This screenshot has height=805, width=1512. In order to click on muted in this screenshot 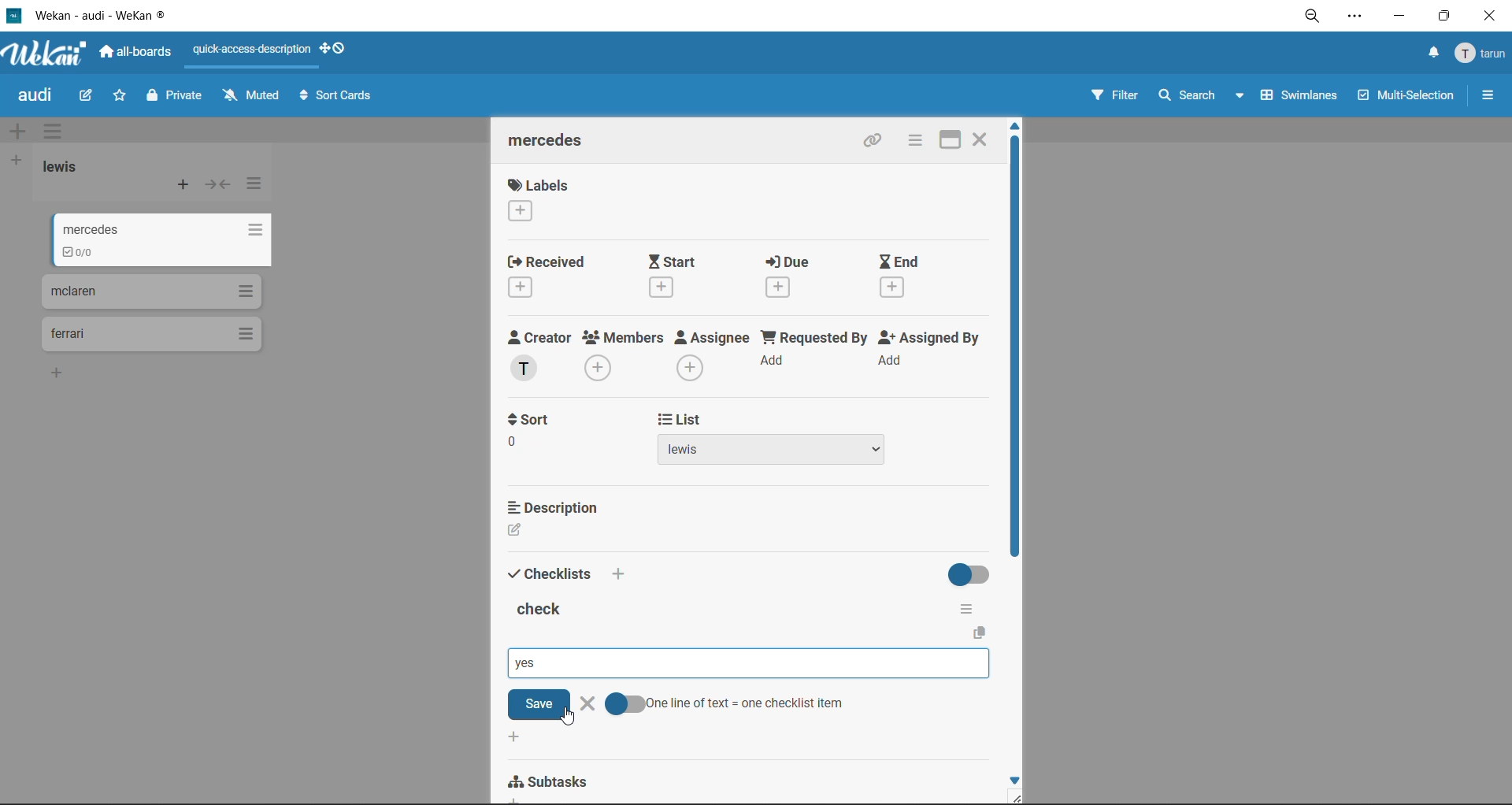, I will do `click(250, 96)`.